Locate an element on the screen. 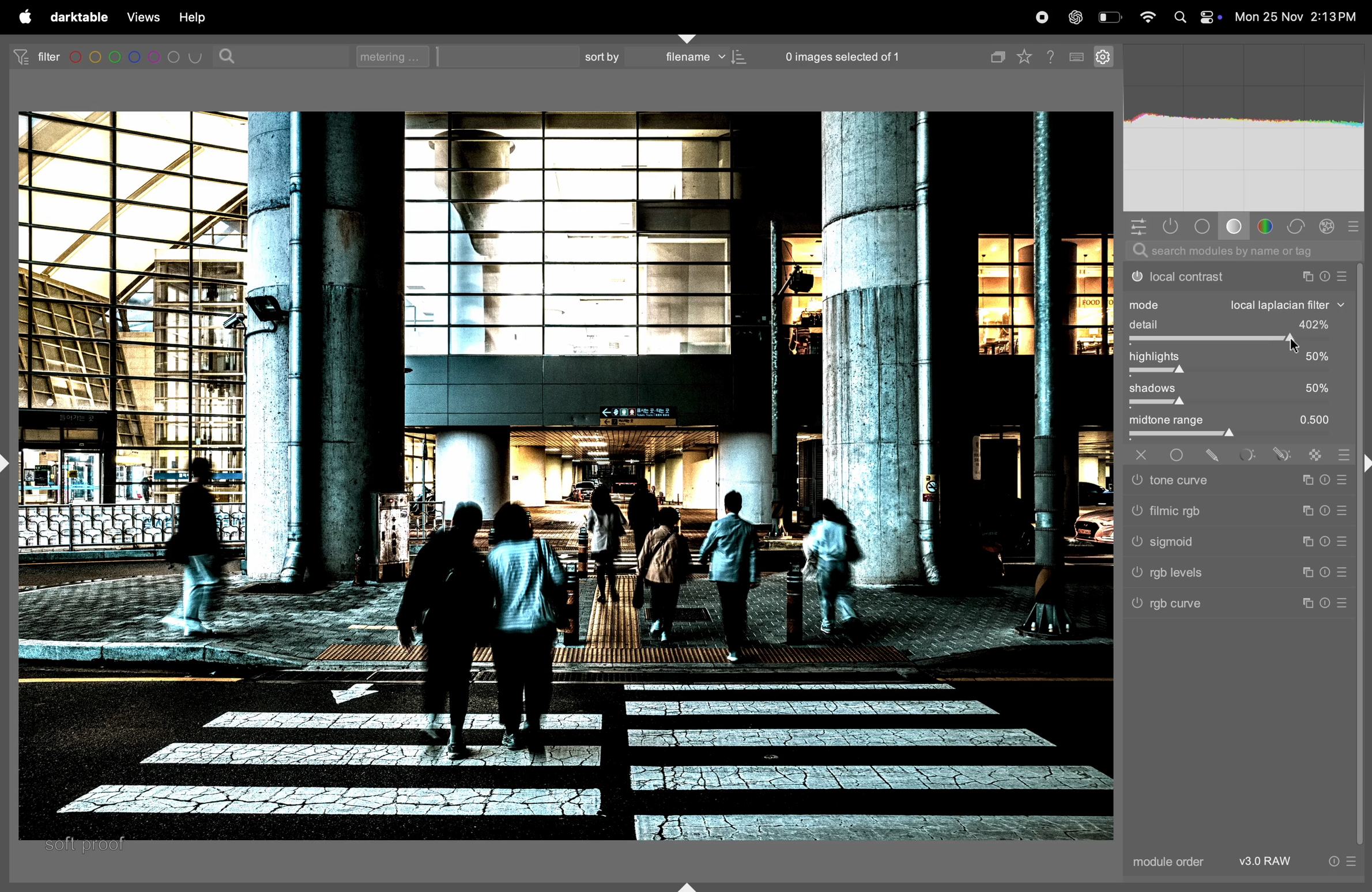 The width and height of the screenshot is (1372, 892). darktable is located at coordinates (78, 17).